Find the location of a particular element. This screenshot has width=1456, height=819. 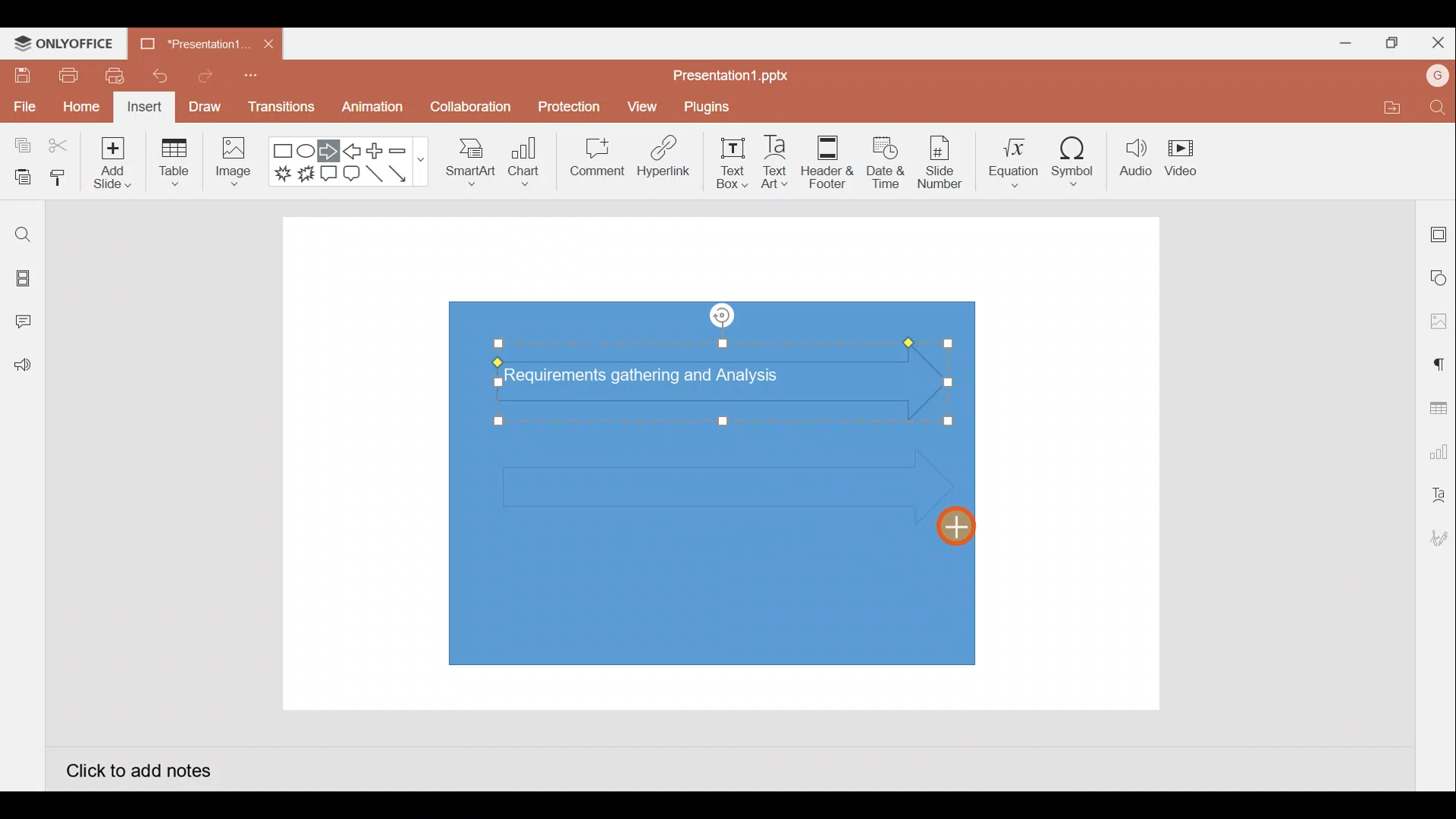

ONLYOFFICE is located at coordinates (64, 43).